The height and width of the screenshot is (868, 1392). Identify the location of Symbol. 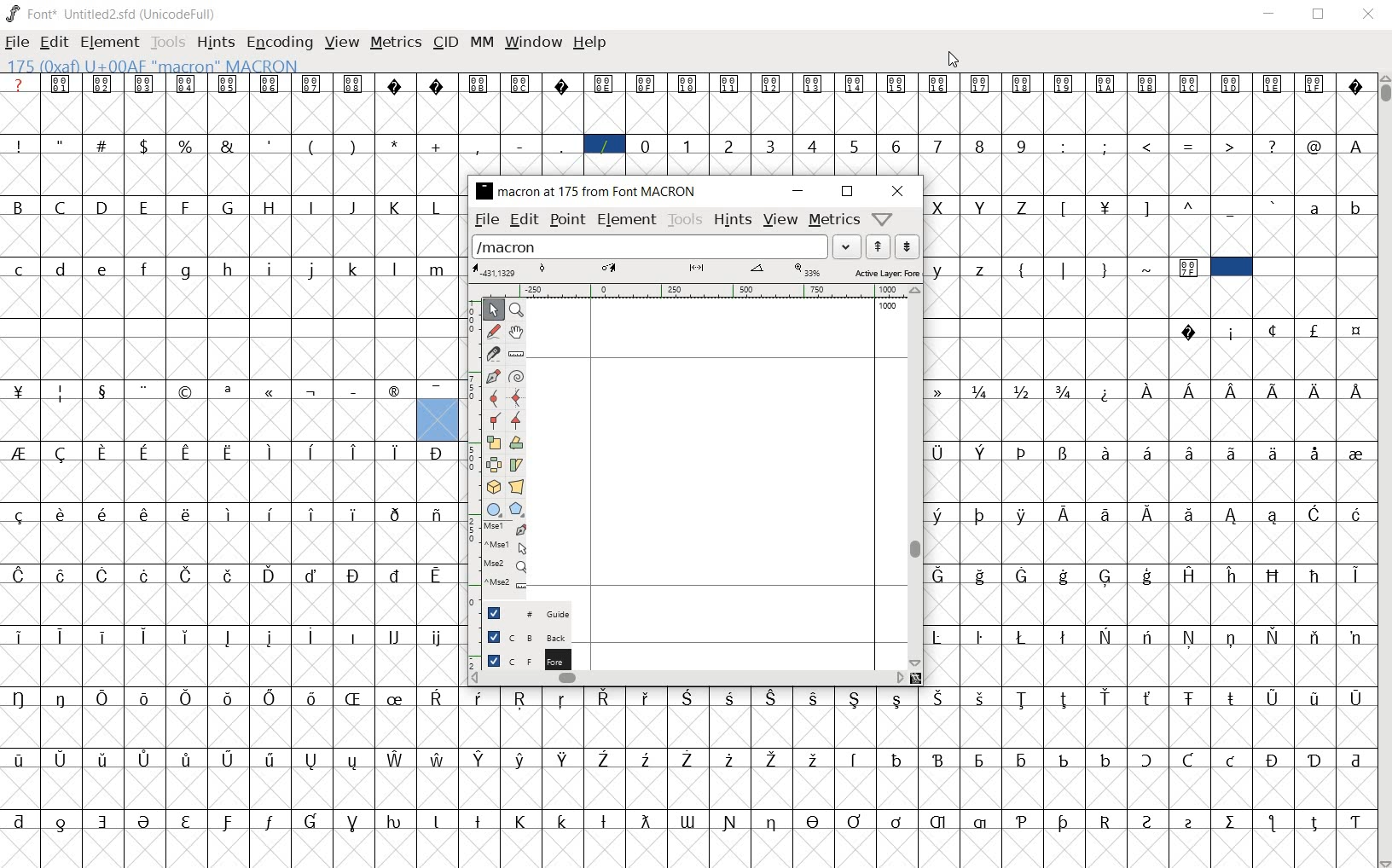
(188, 514).